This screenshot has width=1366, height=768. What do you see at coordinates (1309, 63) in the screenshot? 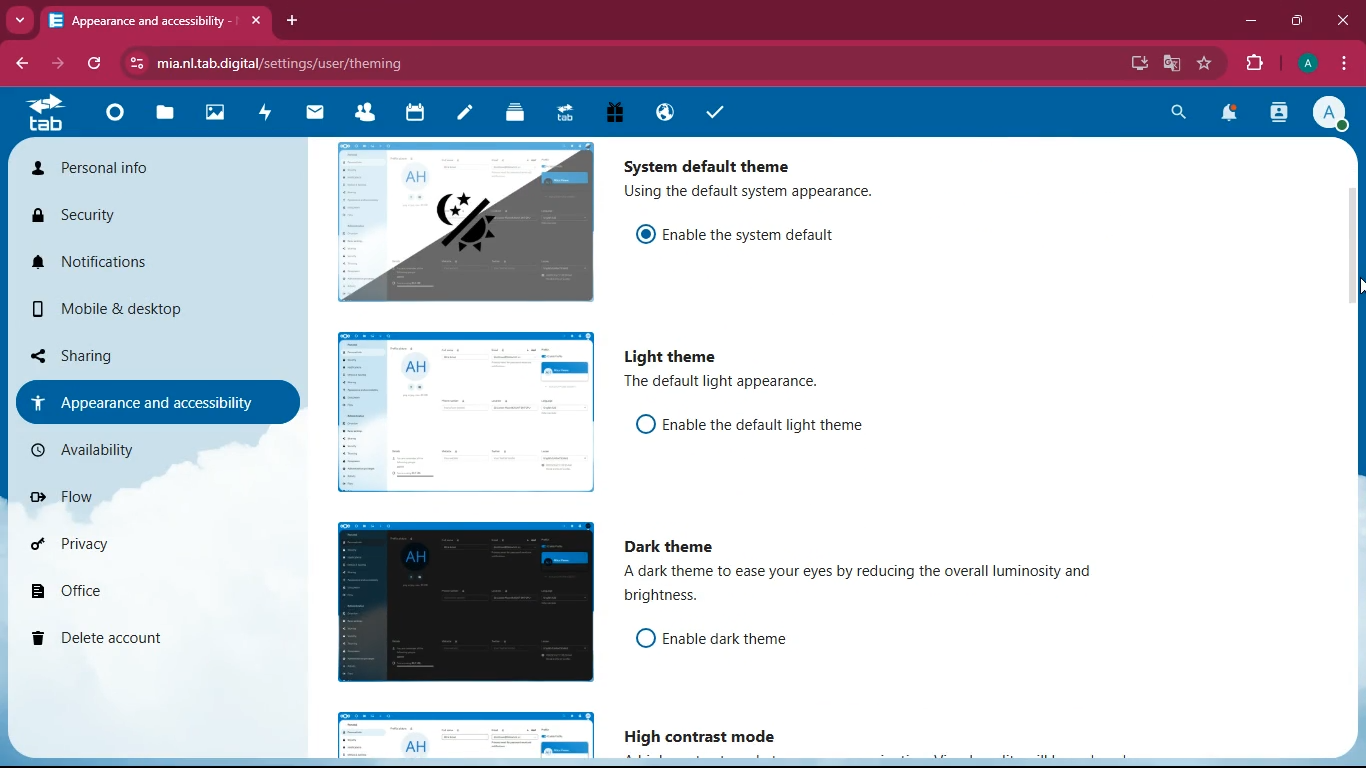
I see `profile` at bounding box center [1309, 63].